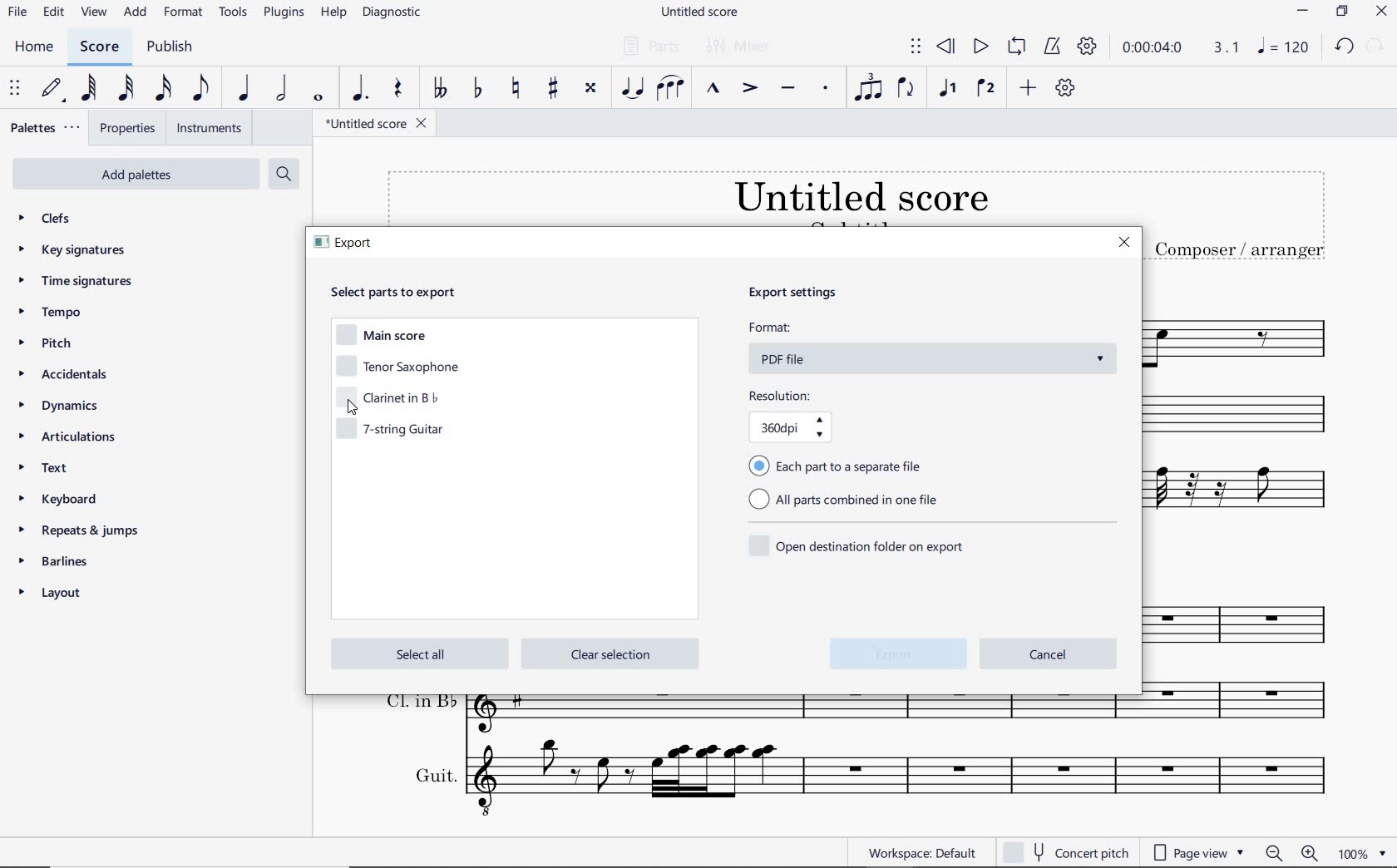  I want to click on zoom factor, so click(1360, 851).